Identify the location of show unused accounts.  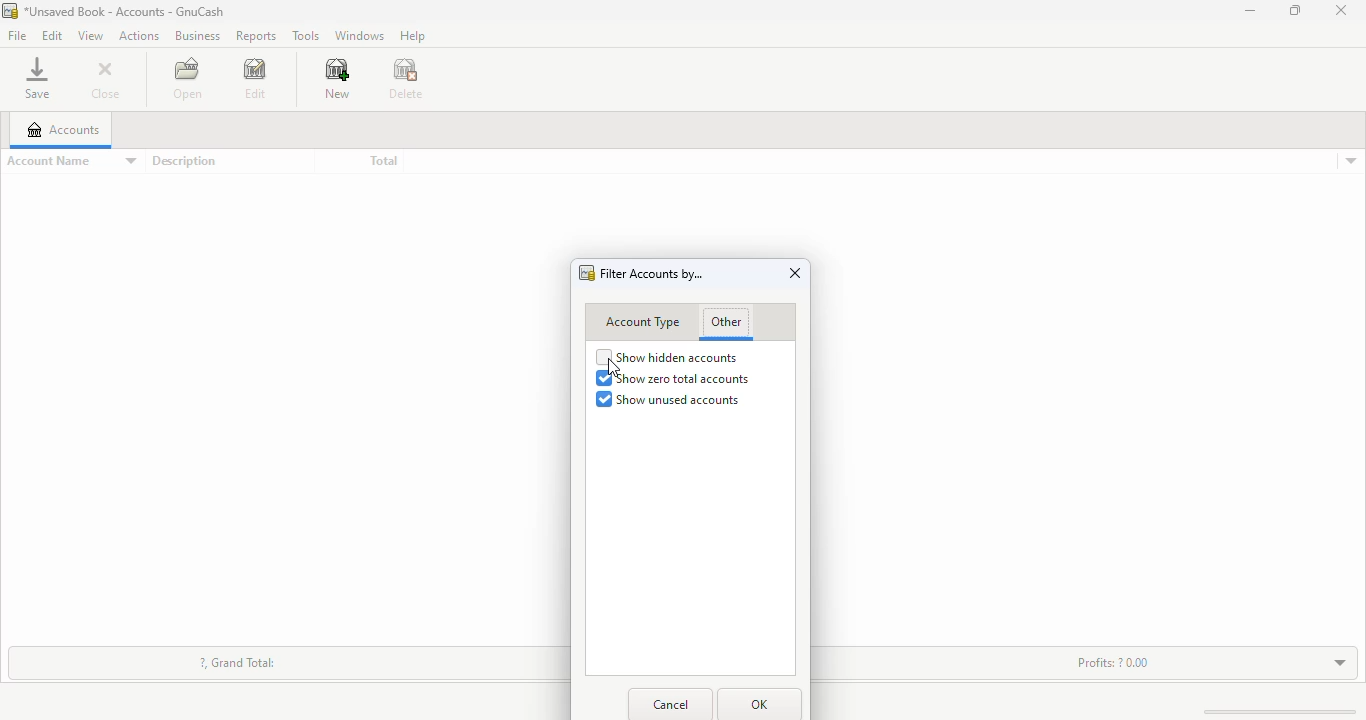
(668, 399).